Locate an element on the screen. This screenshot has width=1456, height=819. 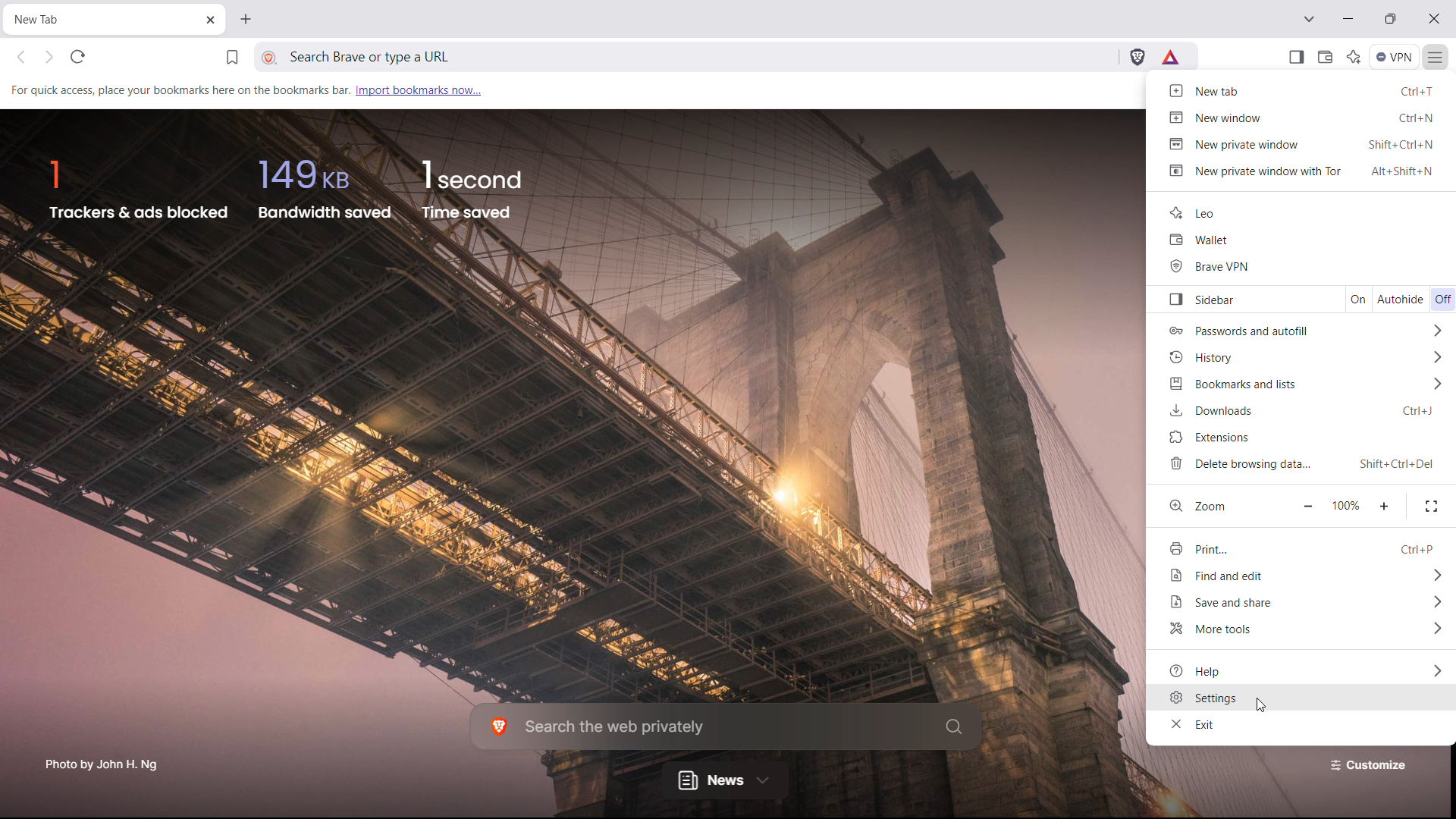
minimize is located at coordinates (1348, 18).